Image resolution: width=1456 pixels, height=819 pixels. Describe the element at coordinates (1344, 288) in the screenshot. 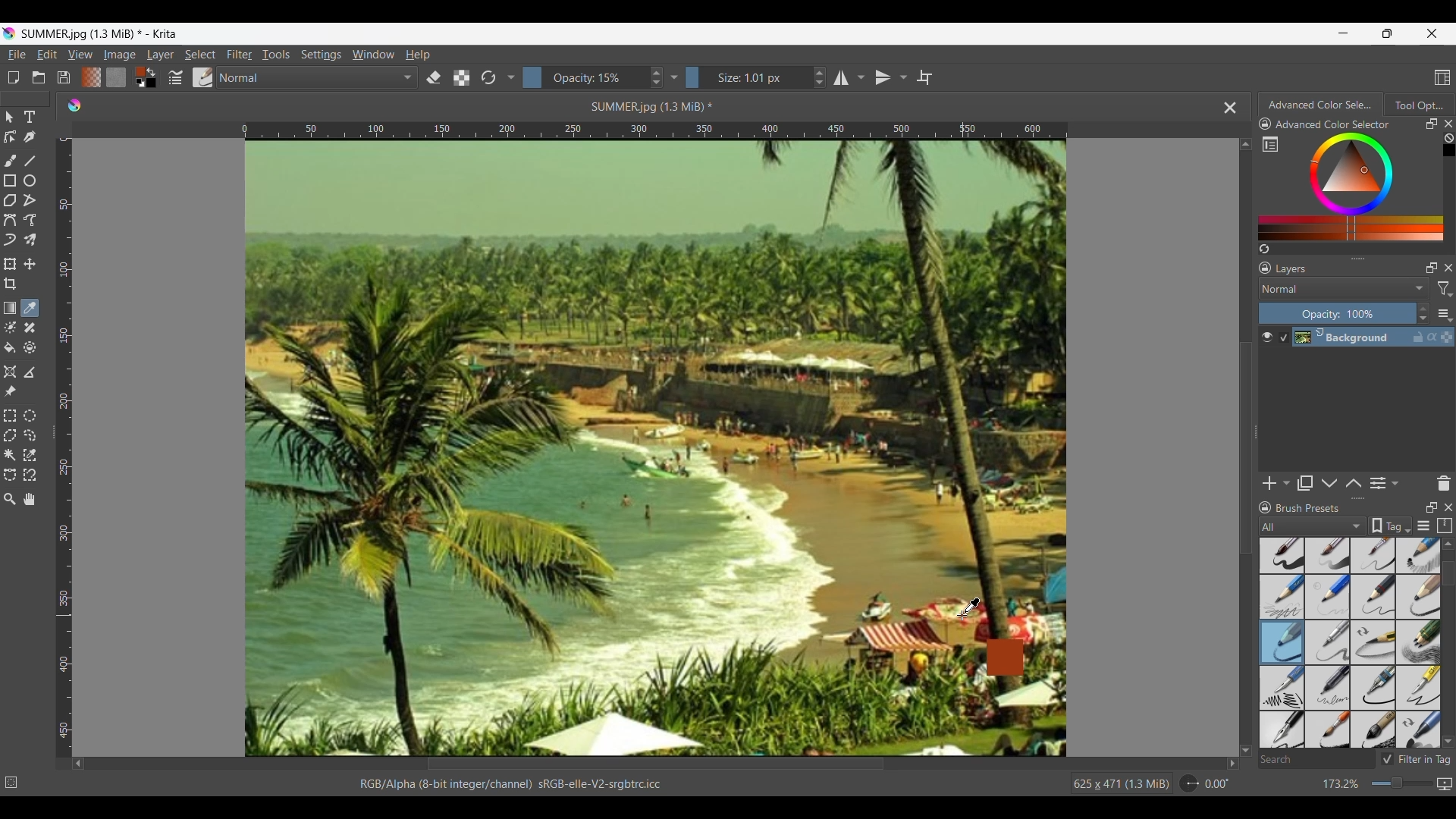

I see `Normal` at that location.